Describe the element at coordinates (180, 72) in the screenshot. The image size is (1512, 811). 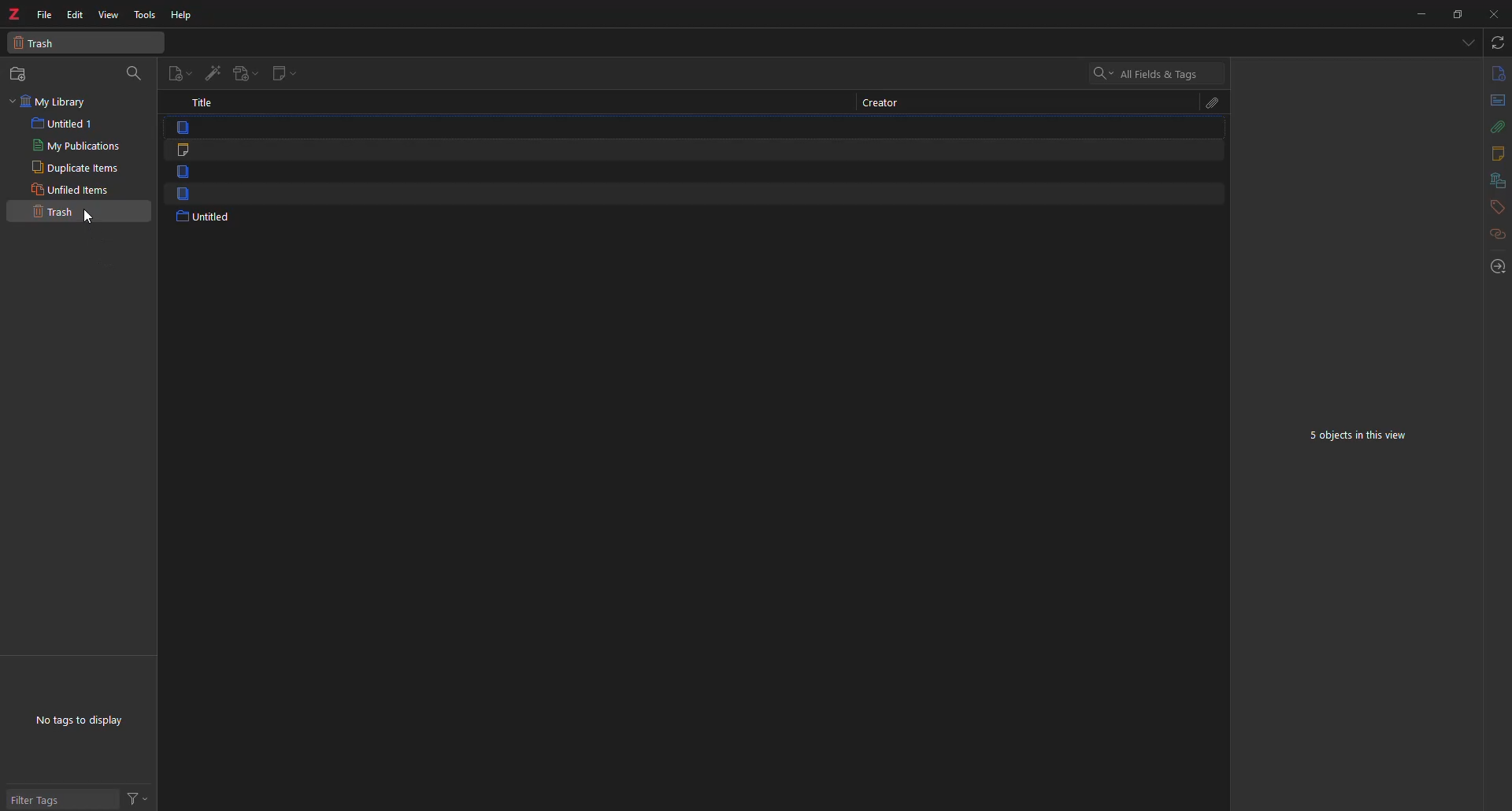
I see `new item` at that location.